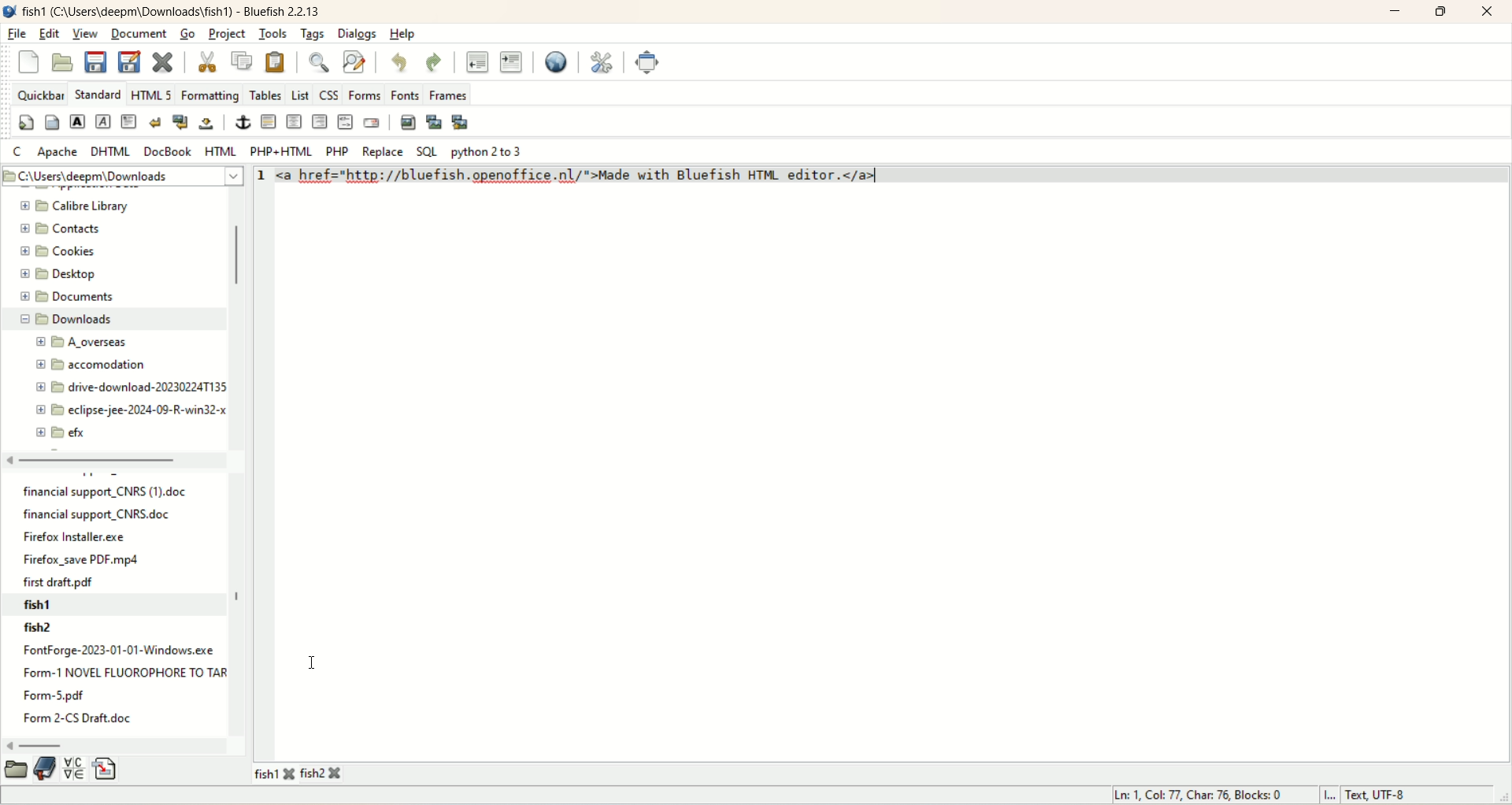  I want to click on insertion cursor, so click(313, 662).